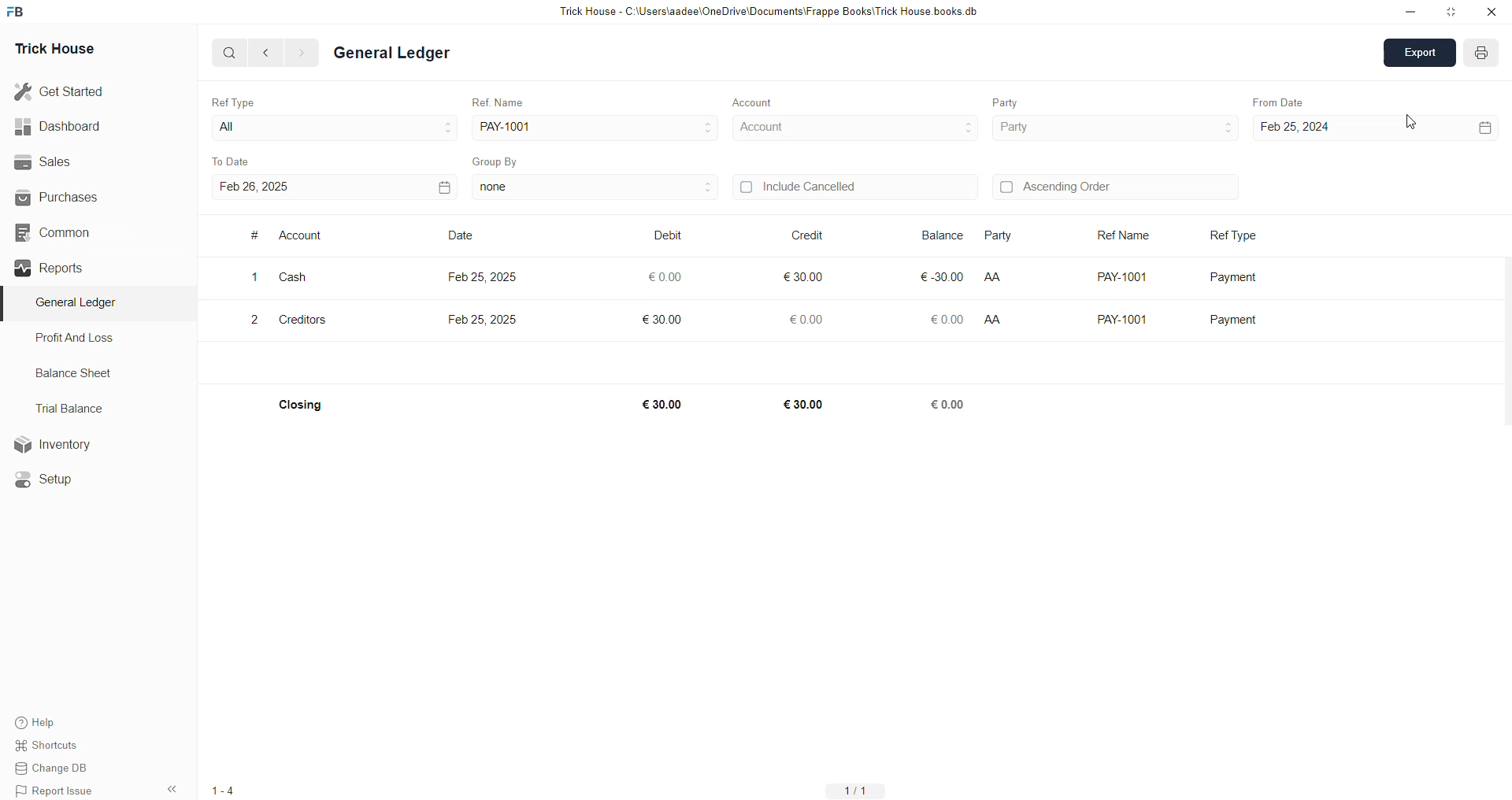 This screenshot has height=800, width=1512. I want to click on €30.00, so click(668, 319).